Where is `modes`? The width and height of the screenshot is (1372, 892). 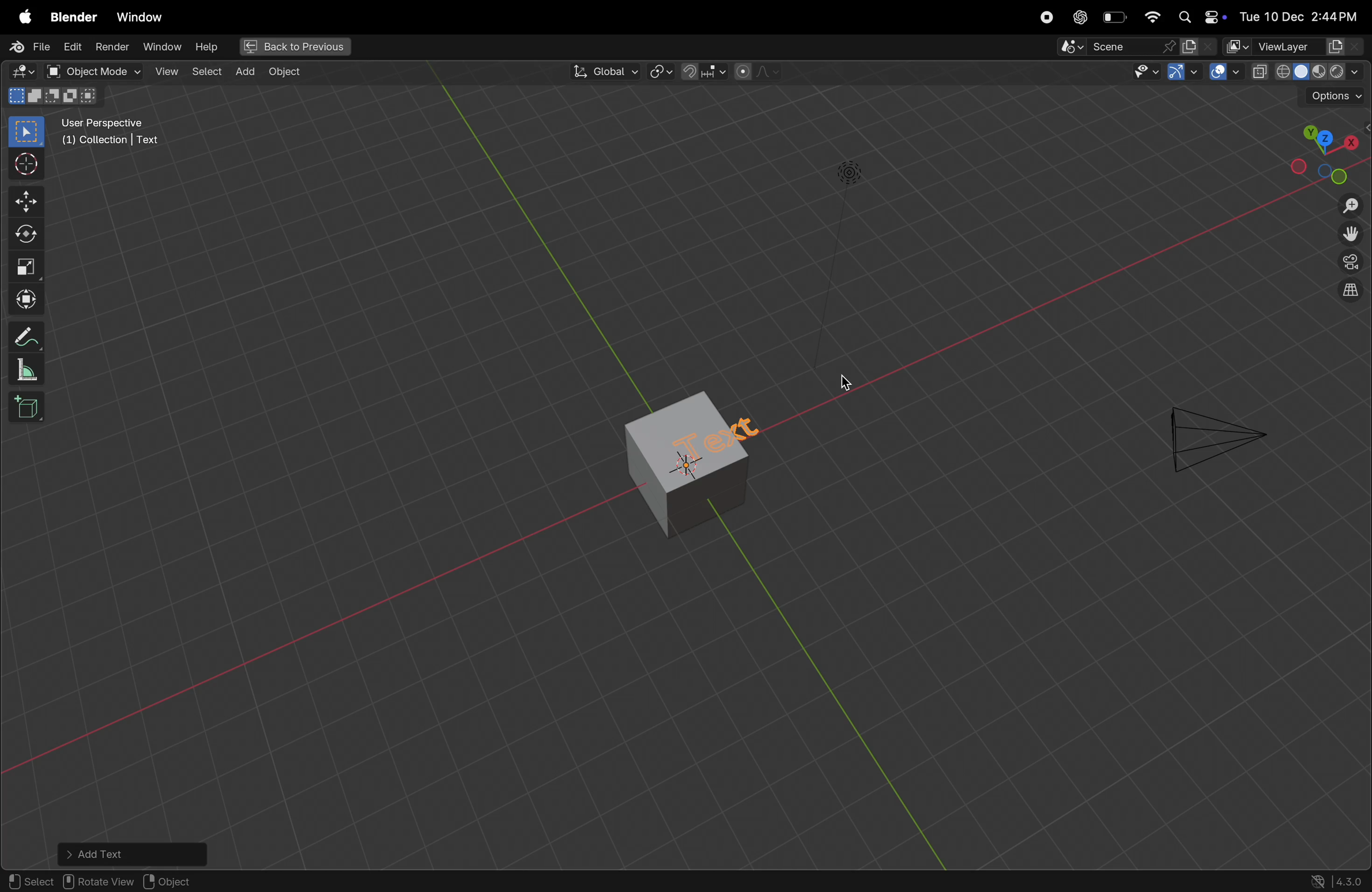
modes is located at coordinates (56, 97).